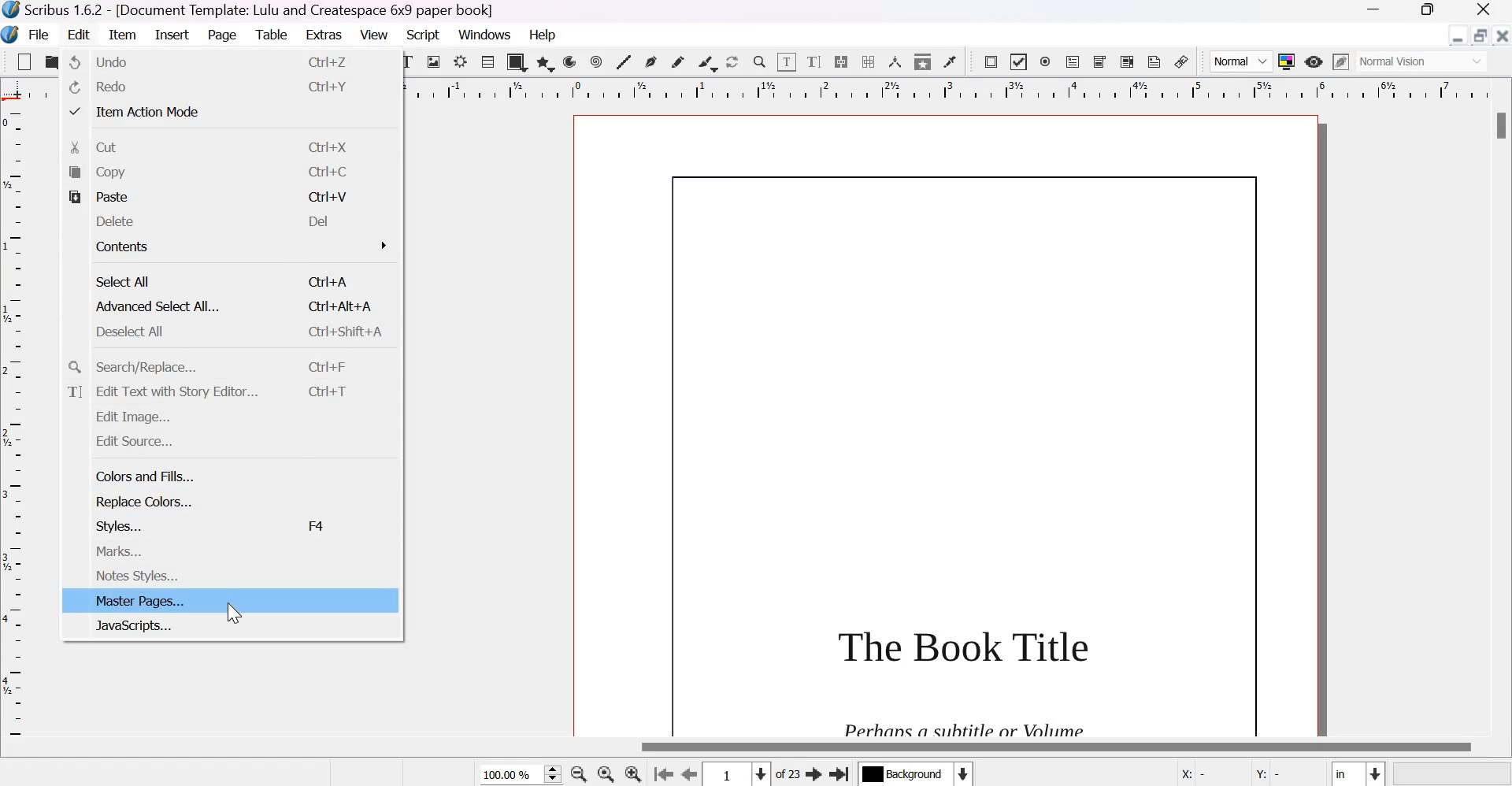  Describe the element at coordinates (1372, 9) in the screenshot. I see `Minimize` at that location.